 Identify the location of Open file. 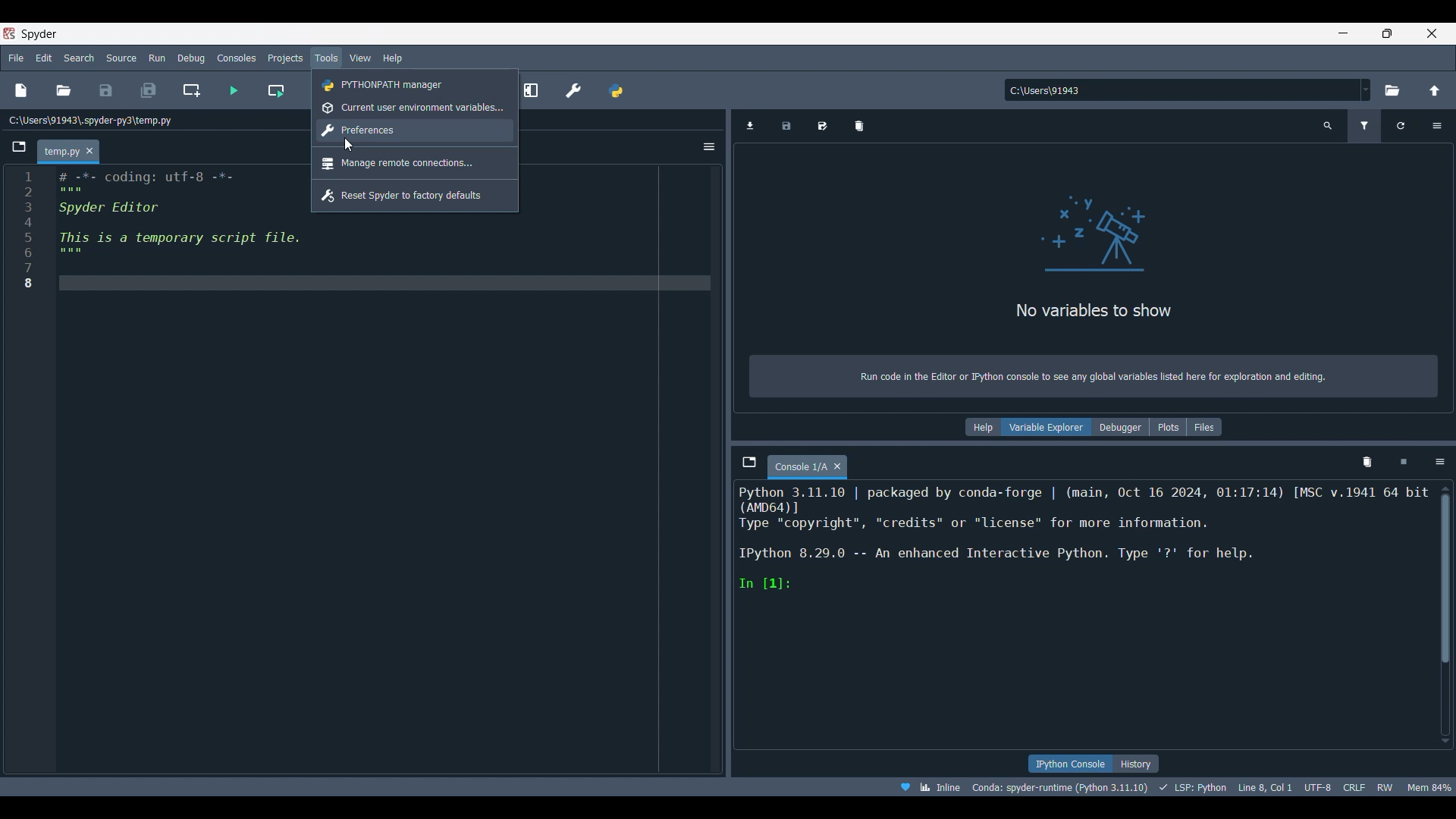
(64, 90).